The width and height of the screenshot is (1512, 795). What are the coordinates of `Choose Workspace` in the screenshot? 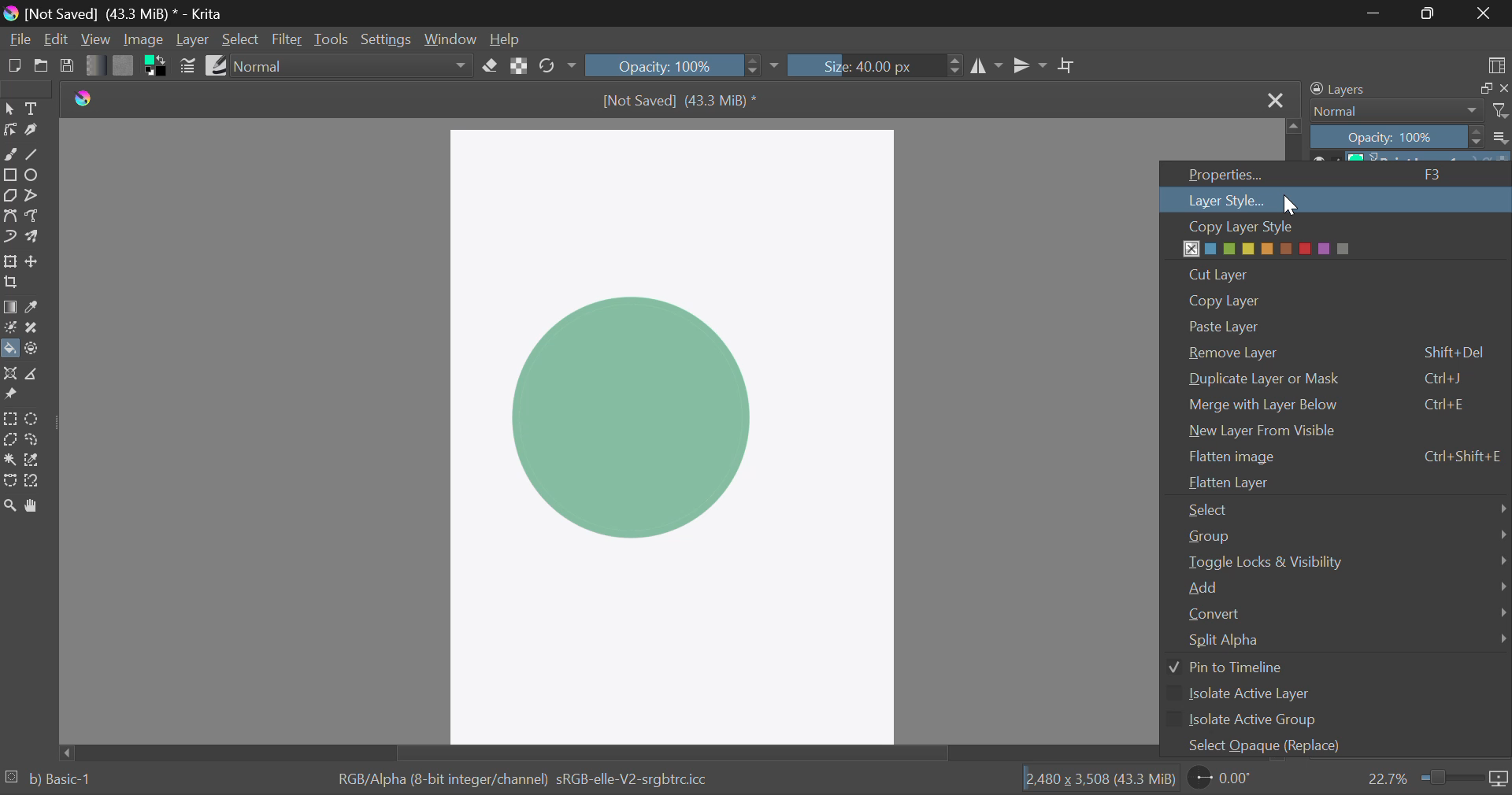 It's located at (1495, 65).